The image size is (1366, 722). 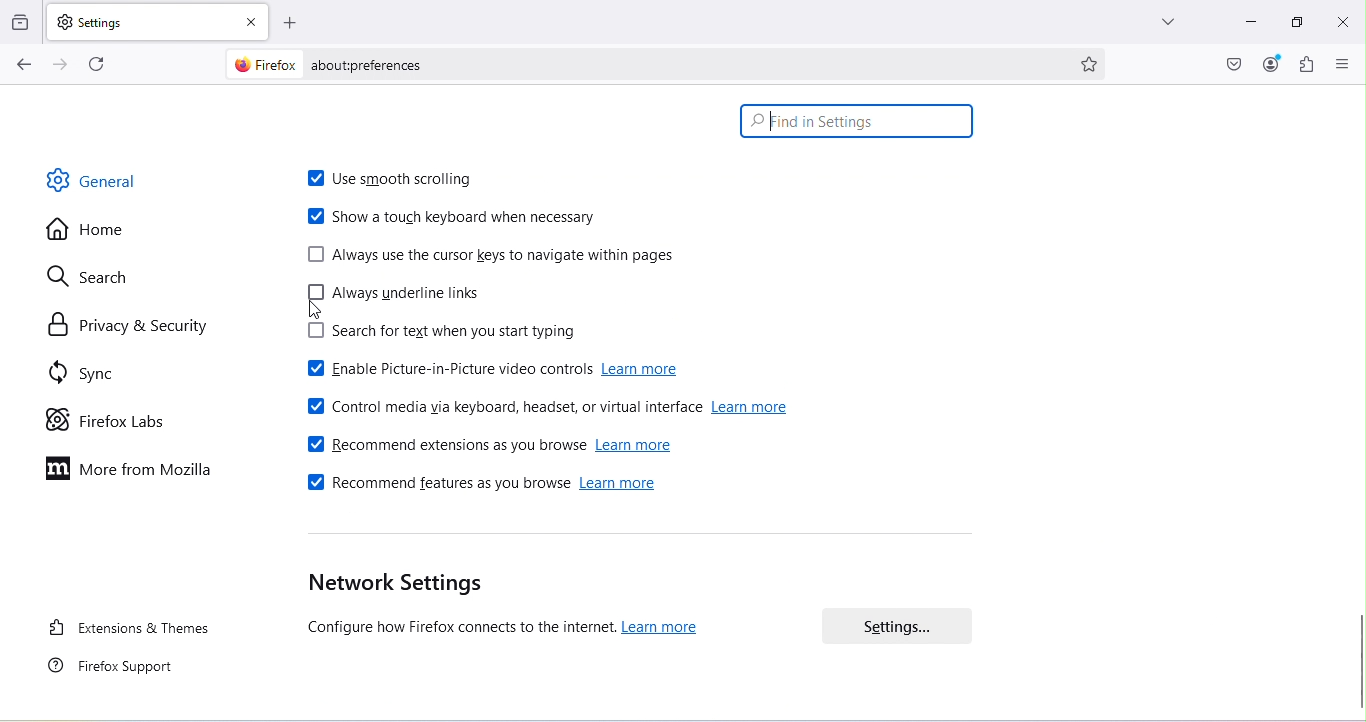 I want to click on Show a touch keyboard when necessary, so click(x=455, y=217).